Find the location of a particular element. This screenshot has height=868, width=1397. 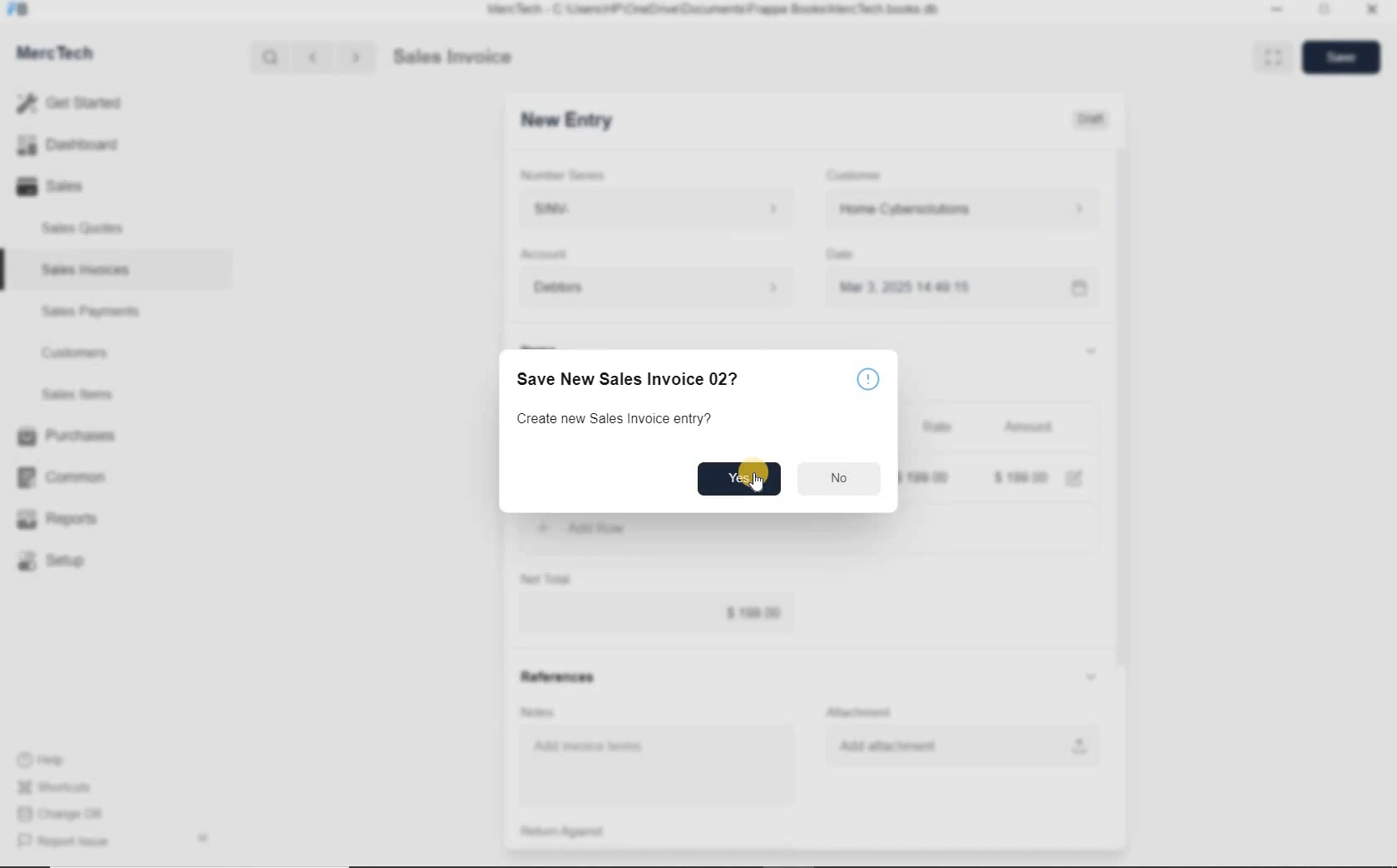

yes is located at coordinates (738, 479).